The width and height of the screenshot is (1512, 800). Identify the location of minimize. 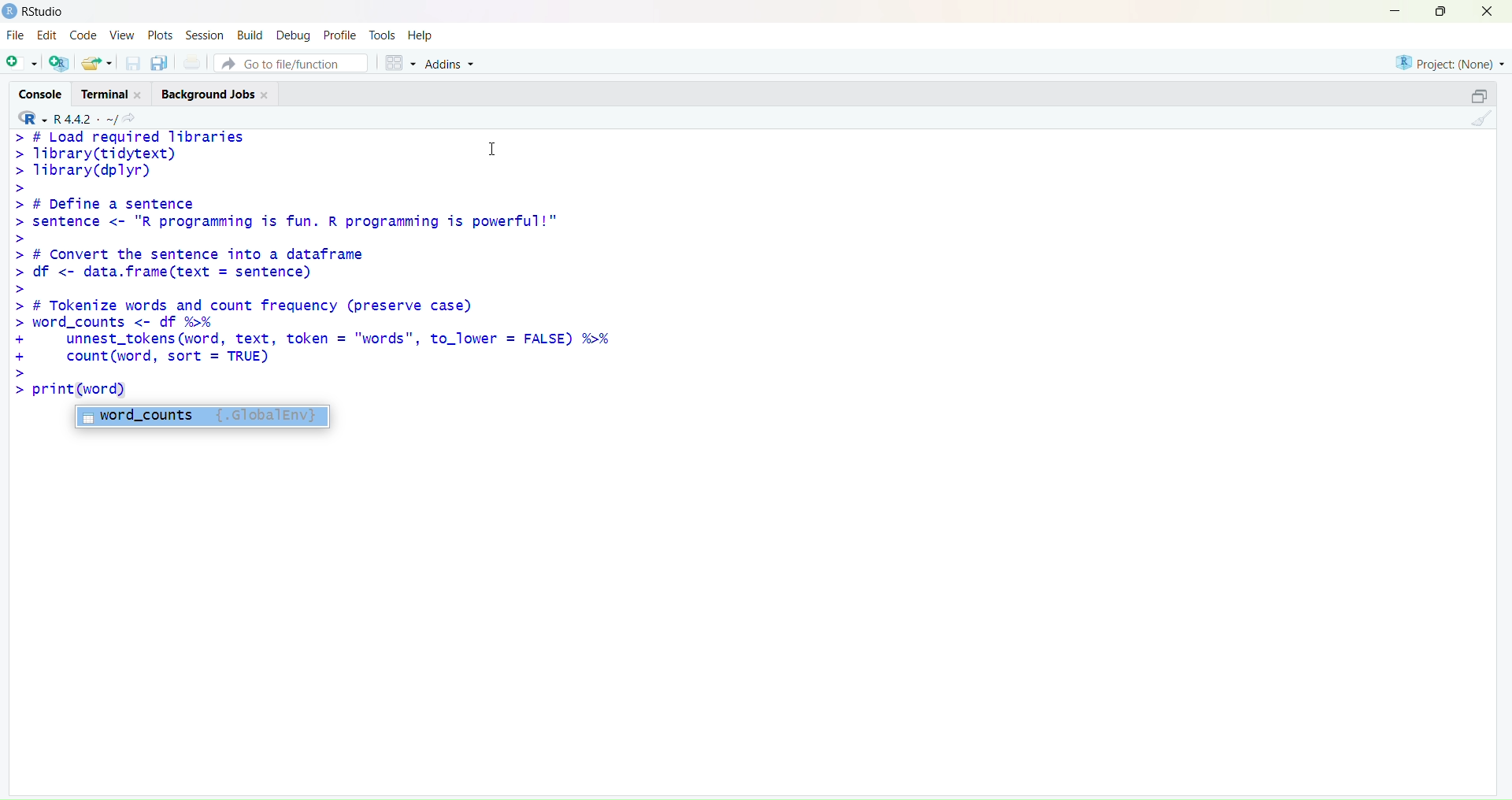
(1393, 12).